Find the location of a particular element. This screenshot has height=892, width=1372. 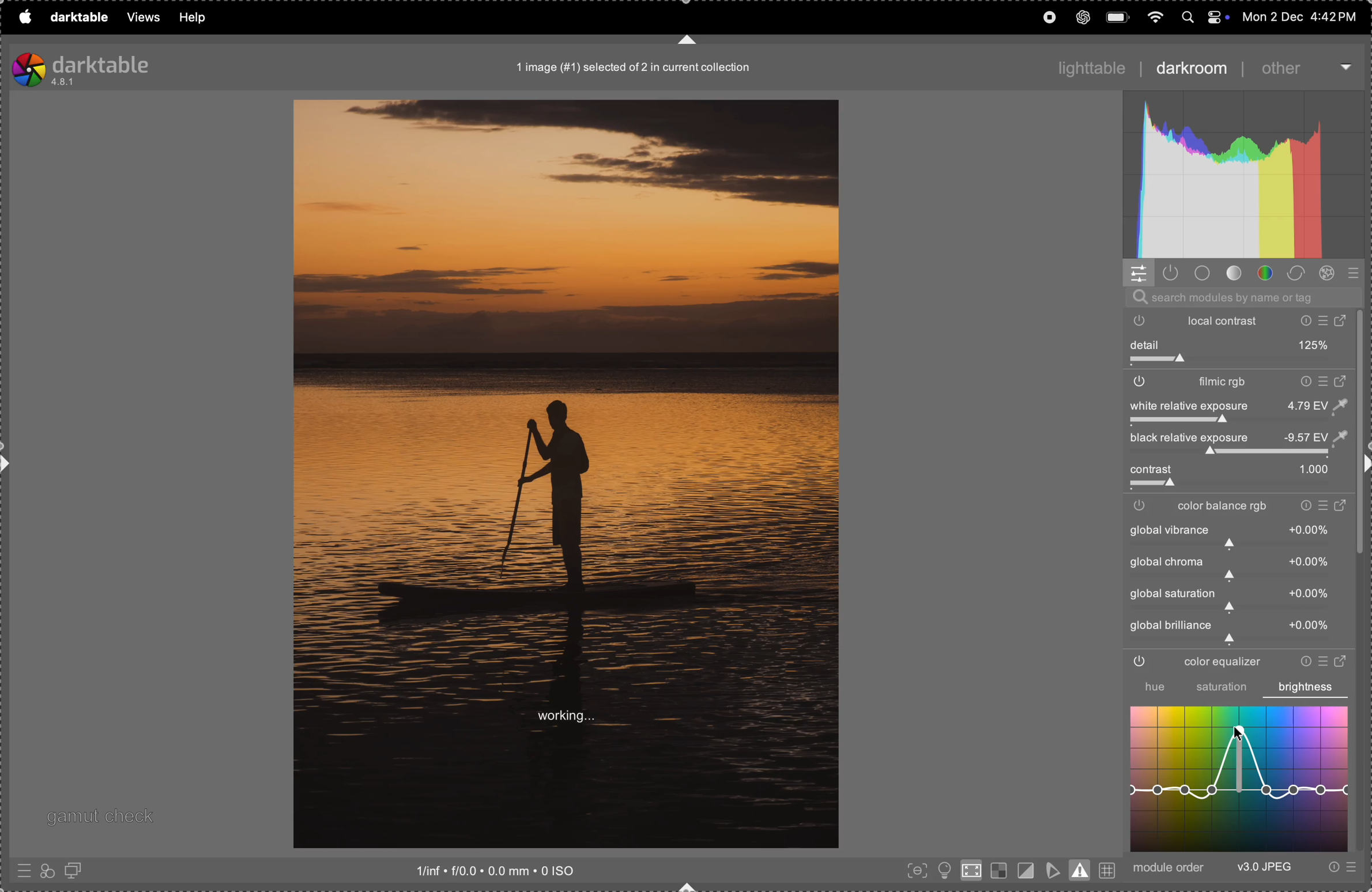

darktable version is located at coordinates (109, 67).